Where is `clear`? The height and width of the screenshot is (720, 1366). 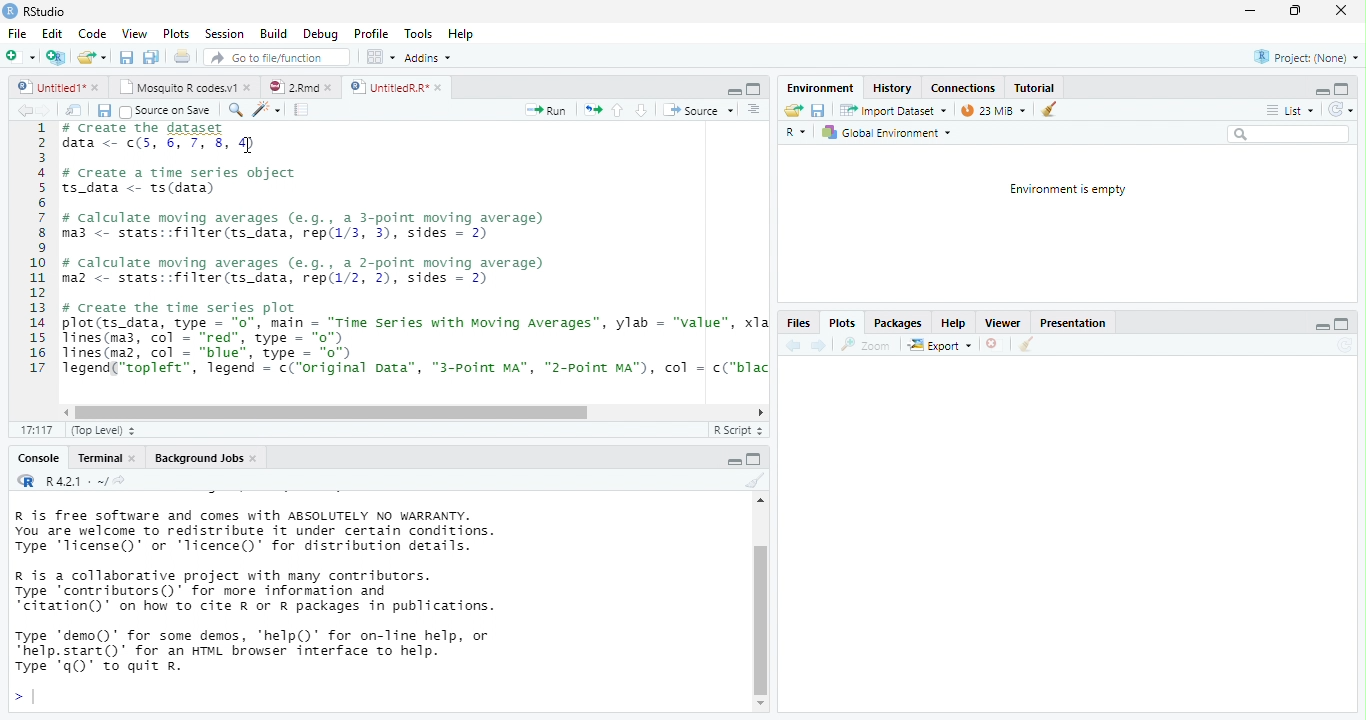 clear is located at coordinates (753, 481).